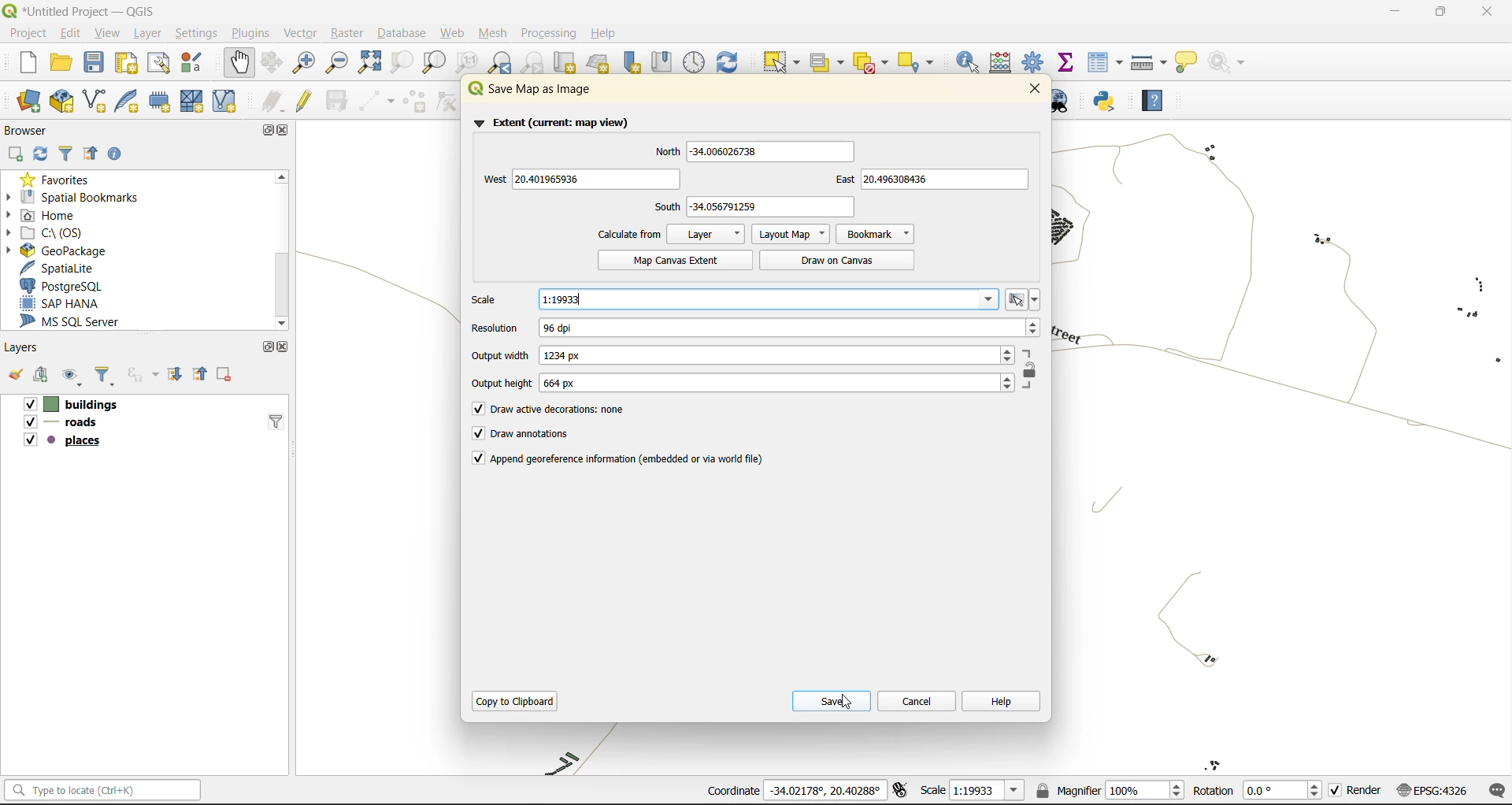  Describe the element at coordinates (921, 61) in the screenshot. I see `select location` at that location.